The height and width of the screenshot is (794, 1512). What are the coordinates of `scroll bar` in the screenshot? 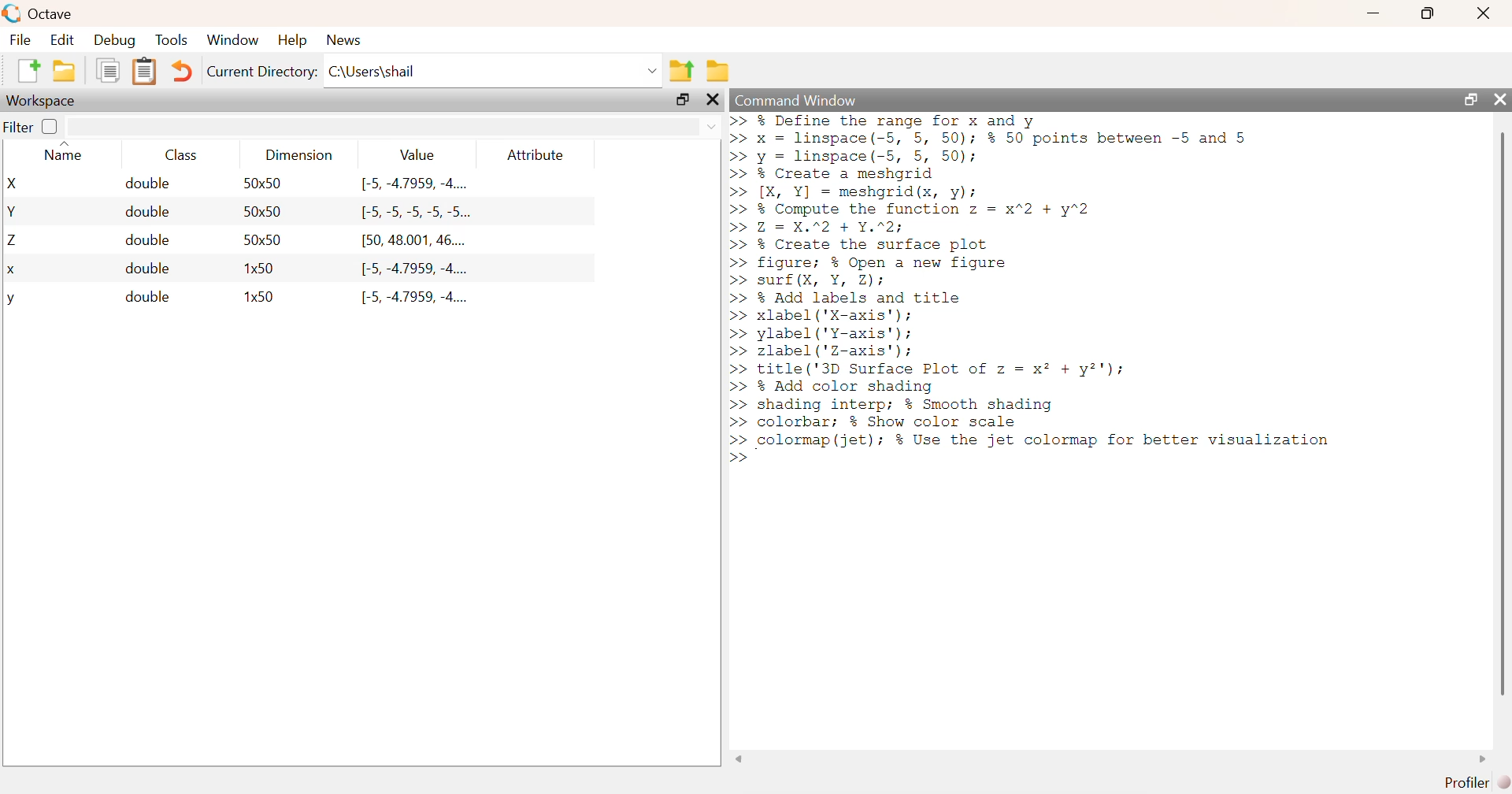 It's located at (1502, 413).